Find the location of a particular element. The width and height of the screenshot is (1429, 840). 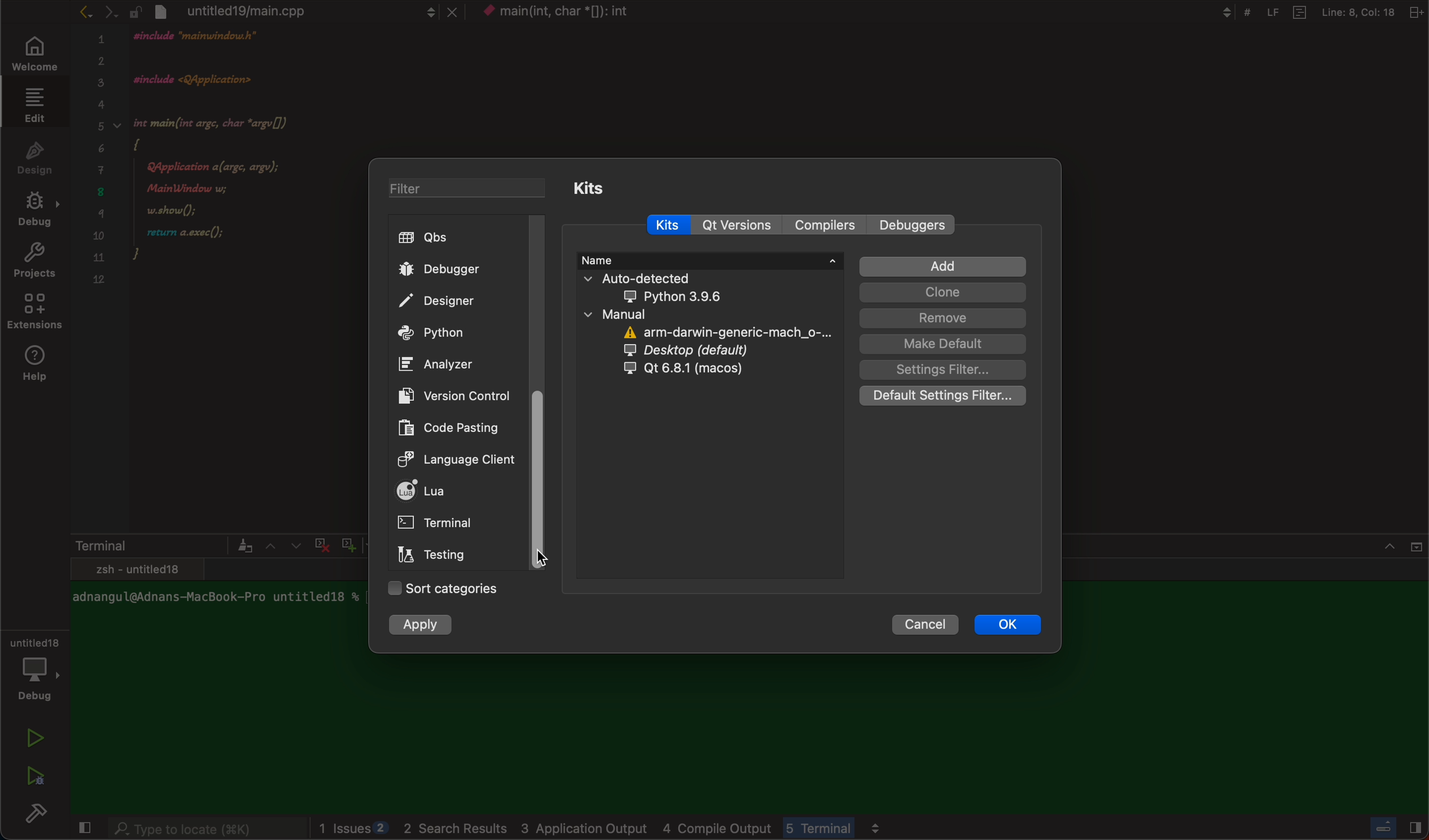

language client is located at coordinates (446, 458).